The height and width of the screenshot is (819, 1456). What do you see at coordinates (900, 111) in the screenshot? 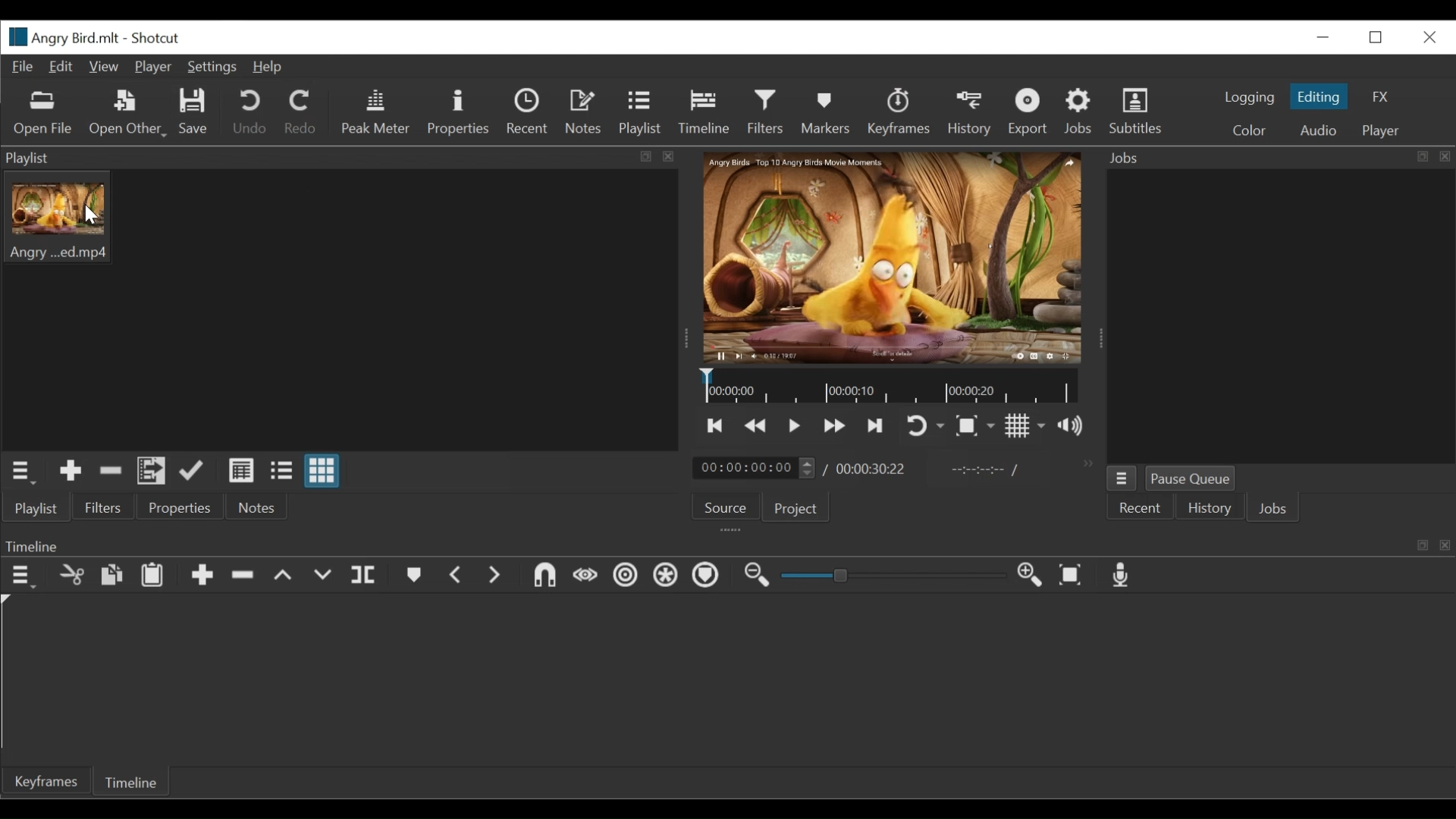
I see `Keyframes` at bounding box center [900, 111].